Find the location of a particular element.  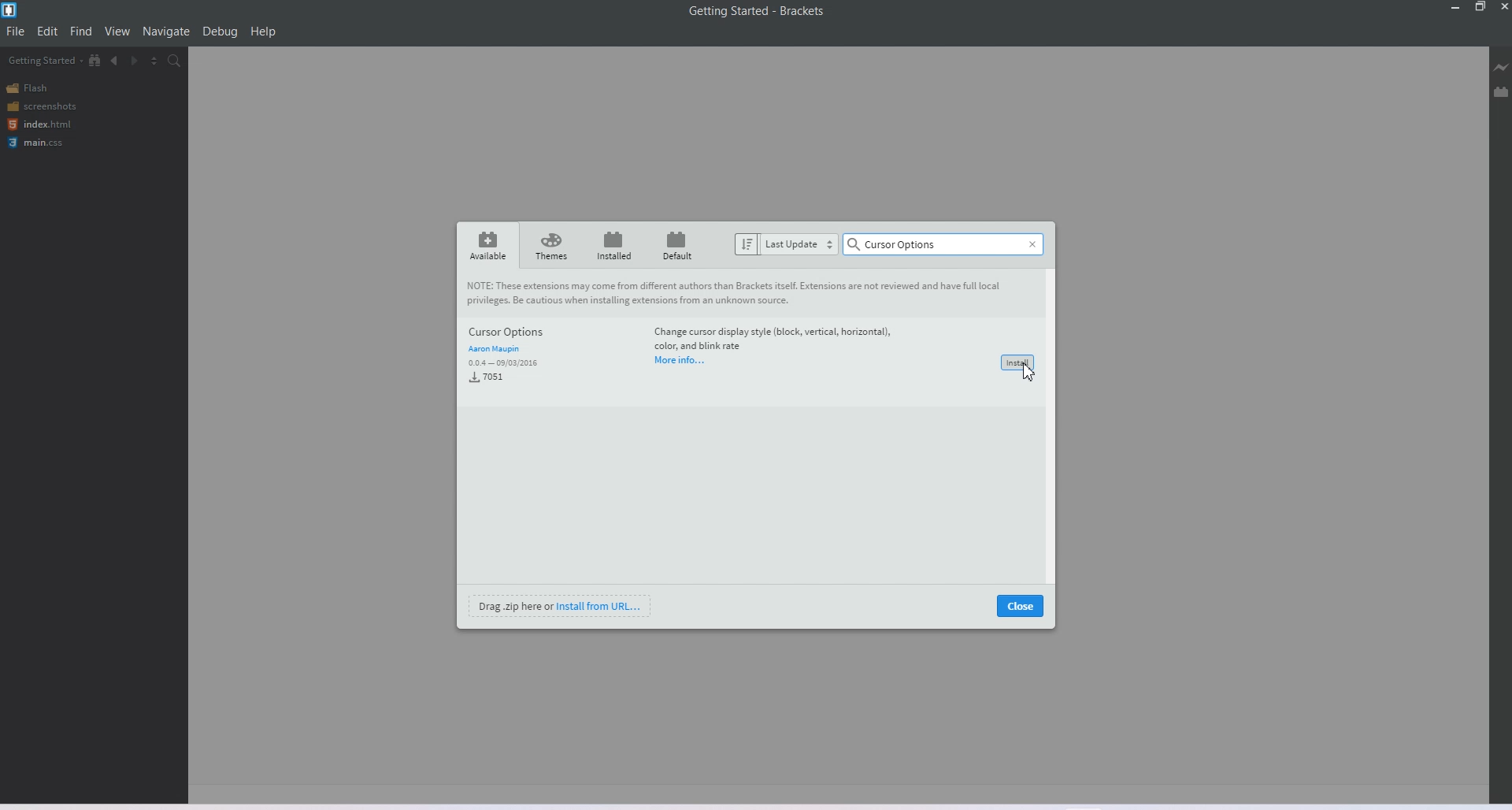

Find is located at coordinates (82, 30).